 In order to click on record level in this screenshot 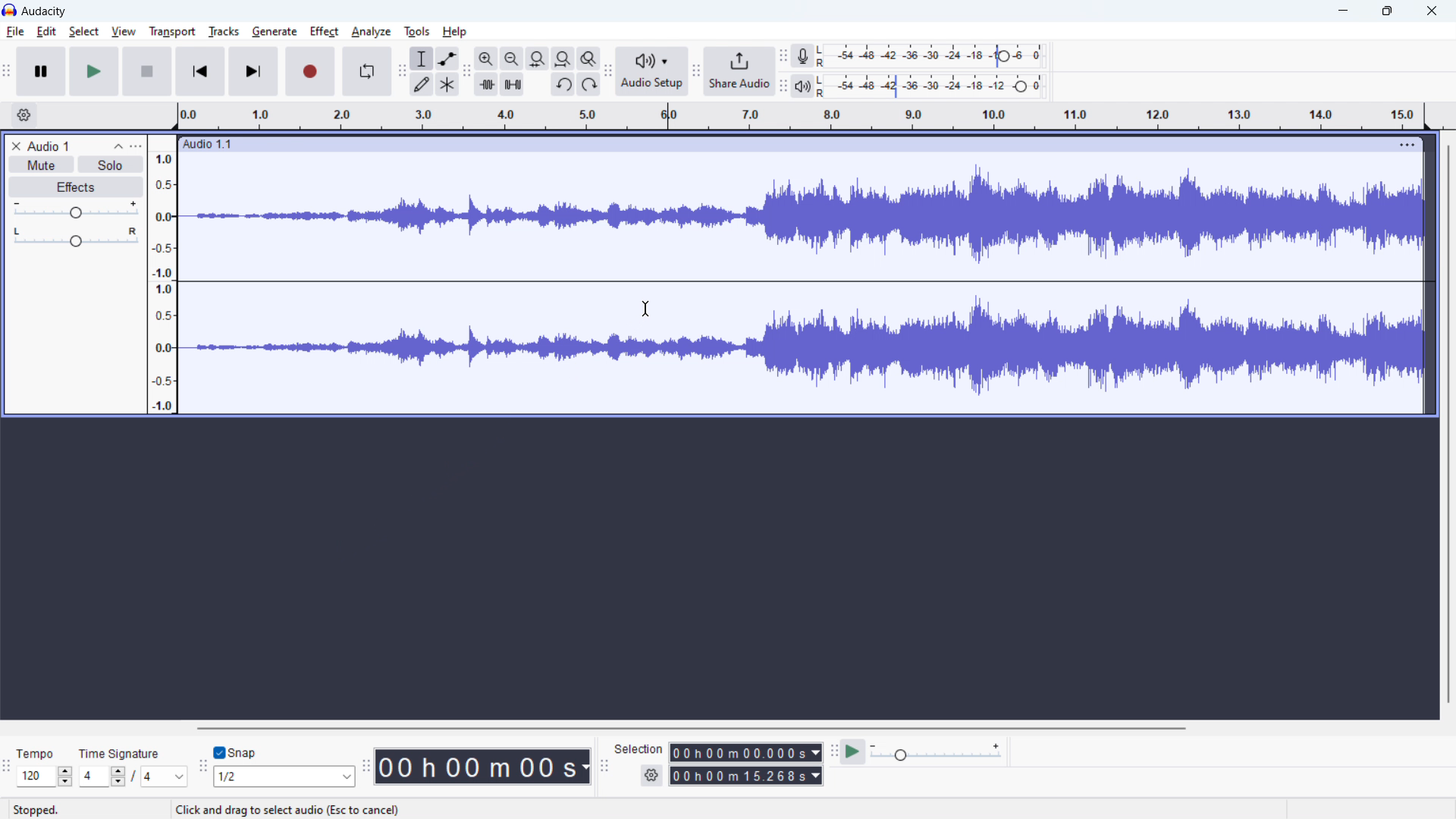, I will do `click(943, 56)`.